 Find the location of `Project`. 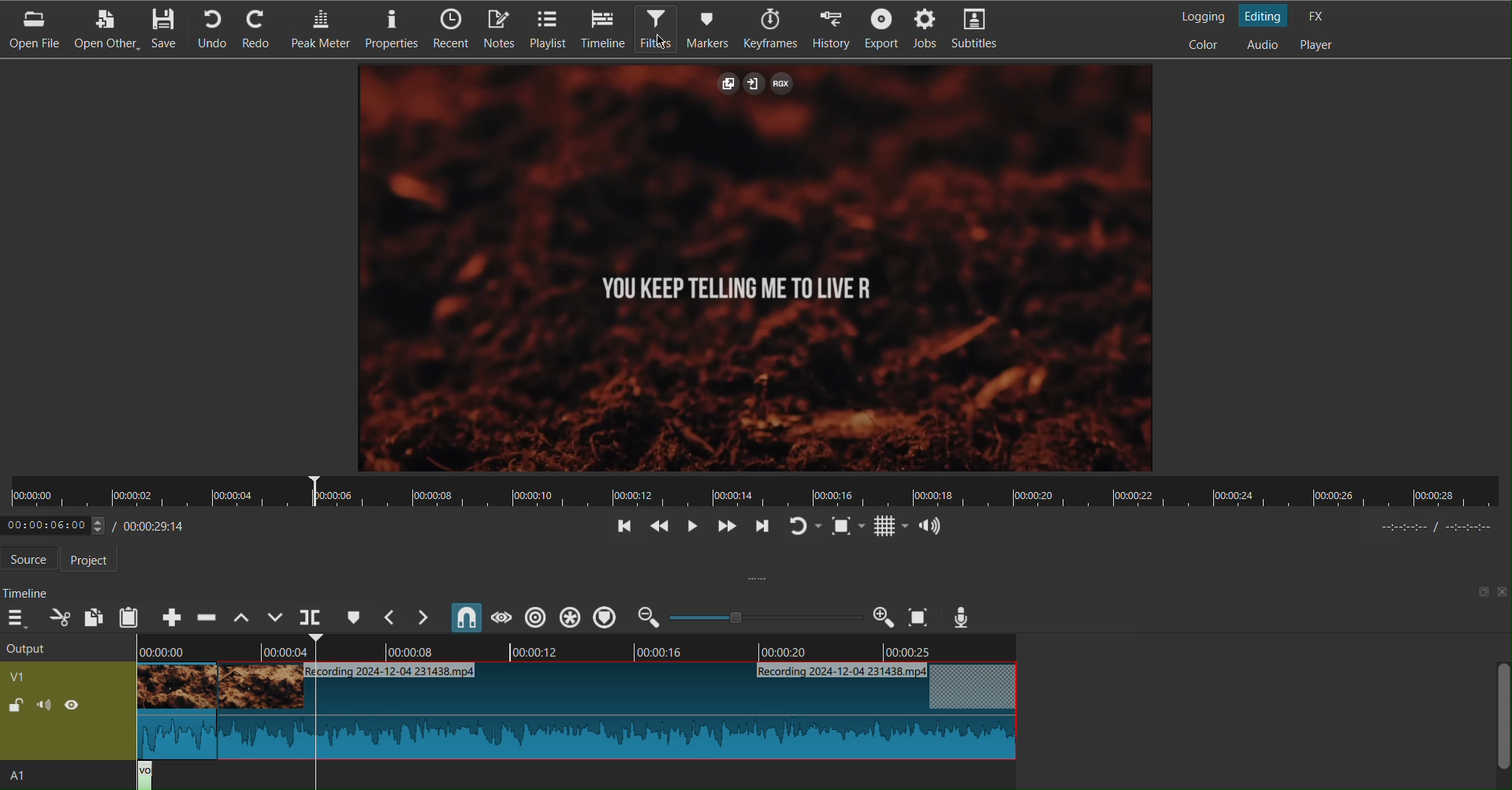

Project is located at coordinates (96, 560).